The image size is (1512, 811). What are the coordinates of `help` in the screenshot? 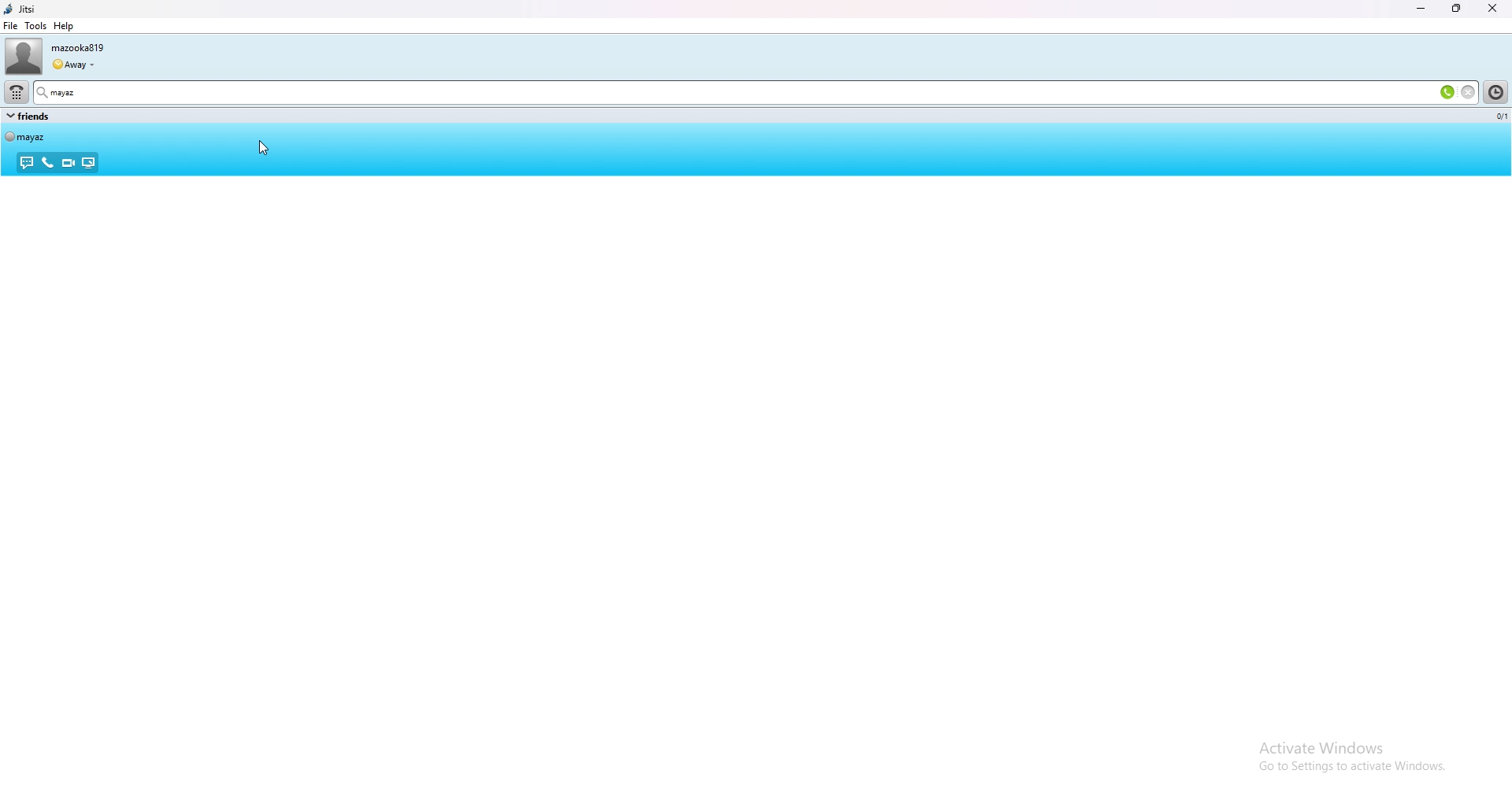 It's located at (64, 26).